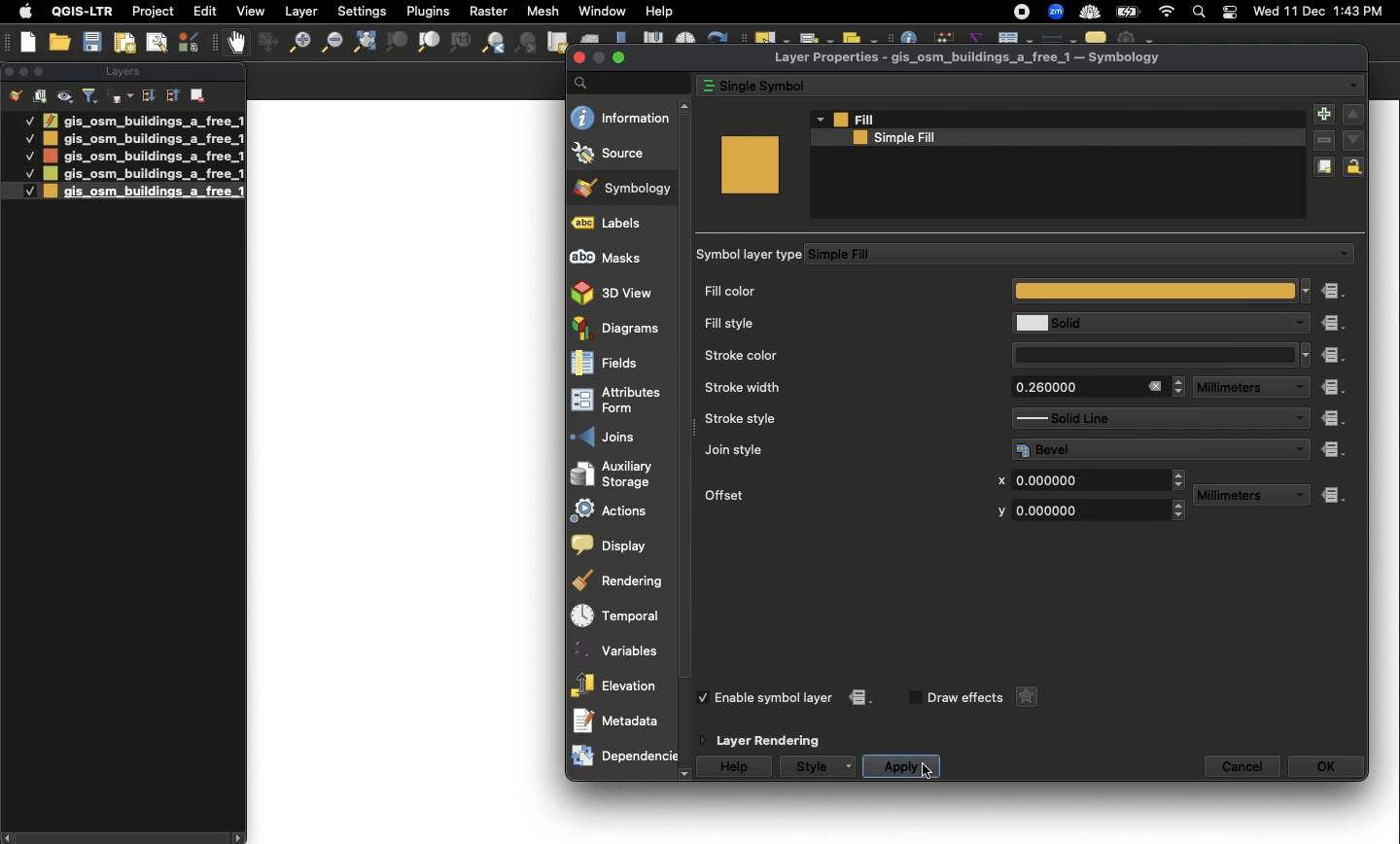 This screenshot has width=1400, height=844. I want to click on Variables, so click(619, 648).